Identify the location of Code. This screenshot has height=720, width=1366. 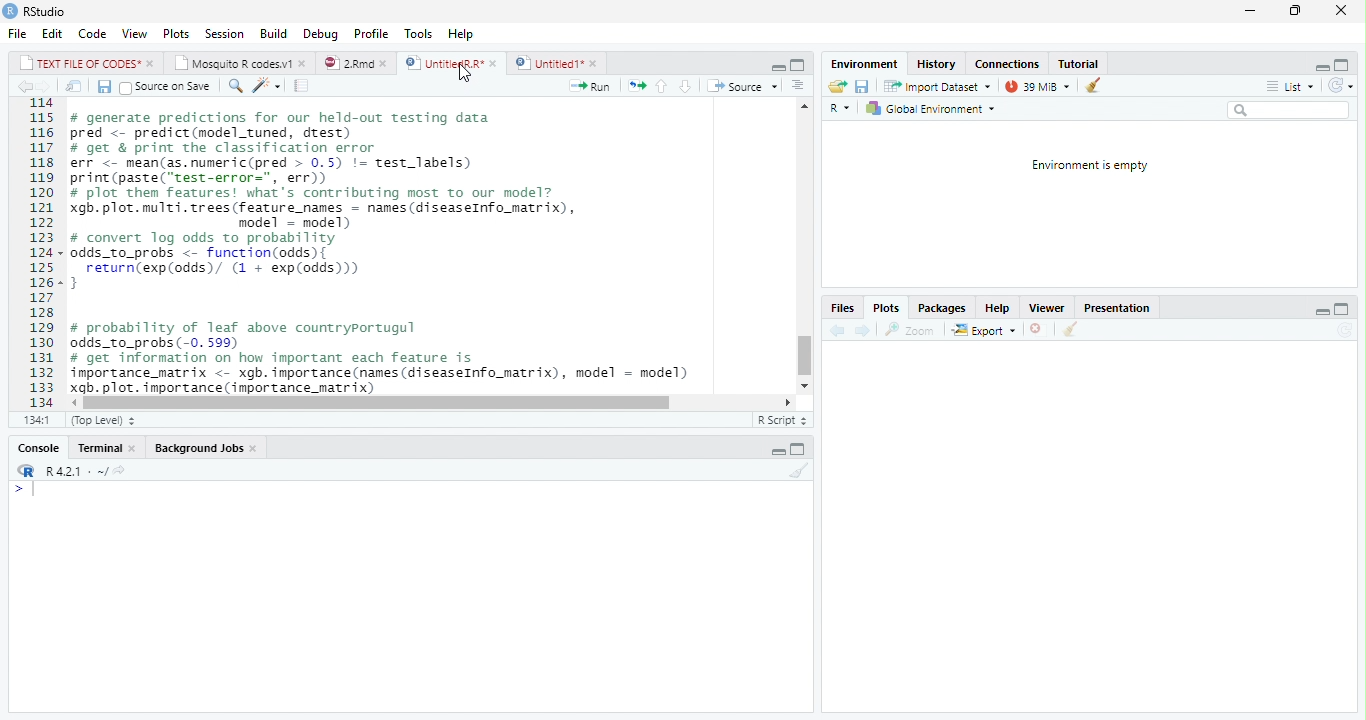
(90, 34).